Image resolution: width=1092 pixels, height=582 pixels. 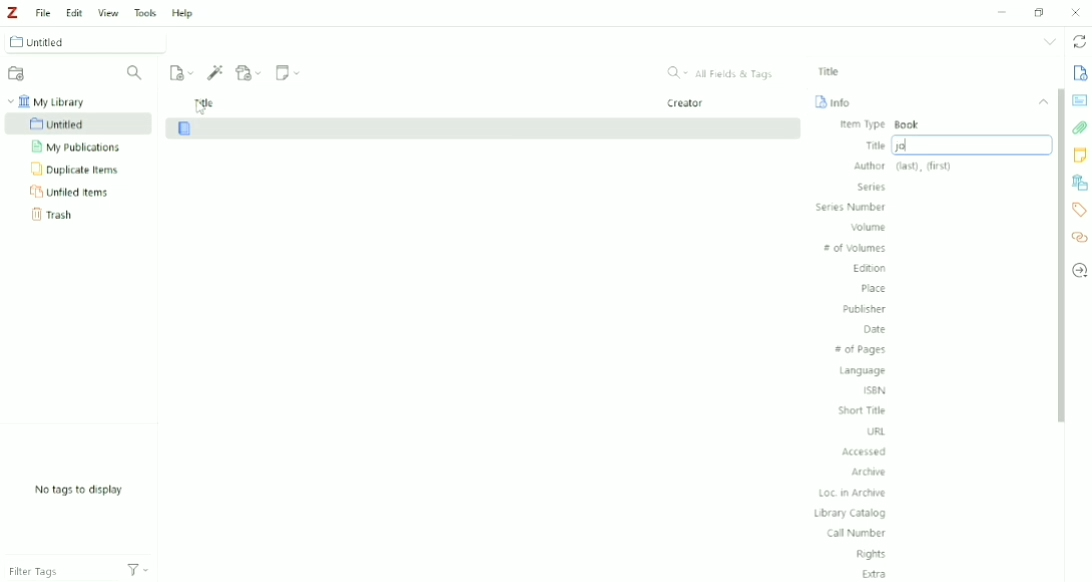 I want to click on Accessed, so click(x=865, y=451).